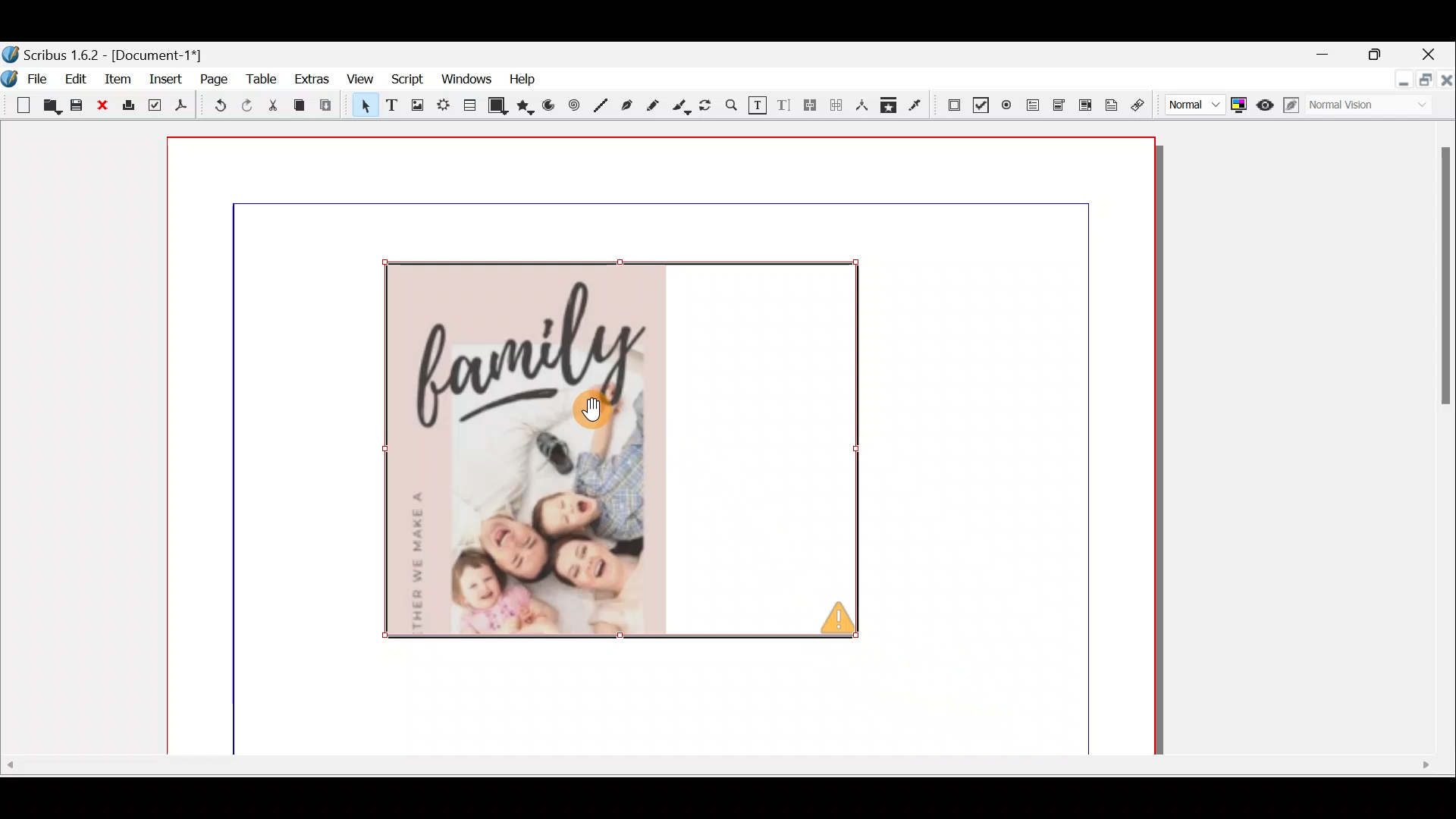  Describe the element at coordinates (363, 105) in the screenshot. I see `Select item` at that location.